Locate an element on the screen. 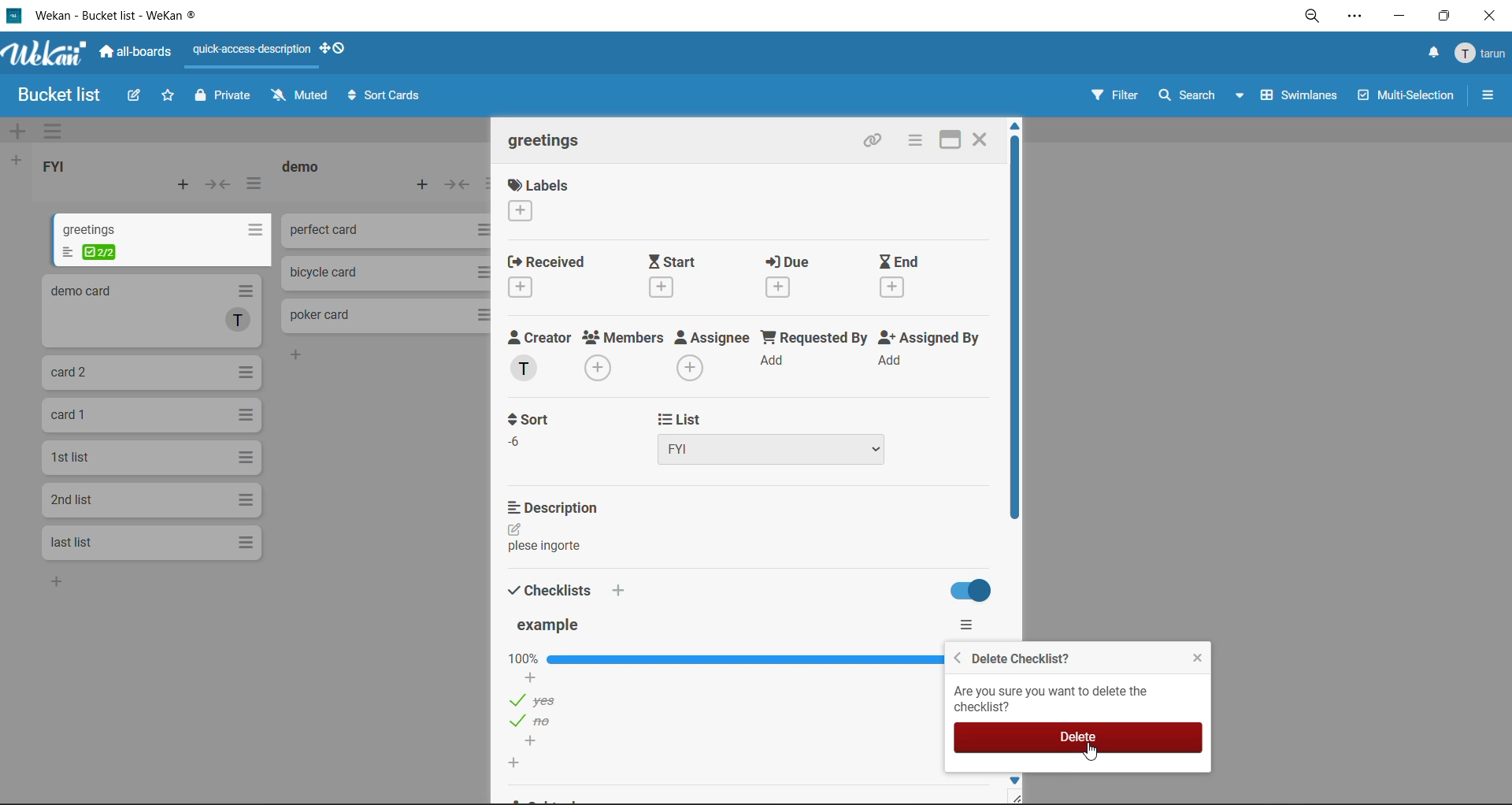  quick access description is located at coordinates (248, 56).